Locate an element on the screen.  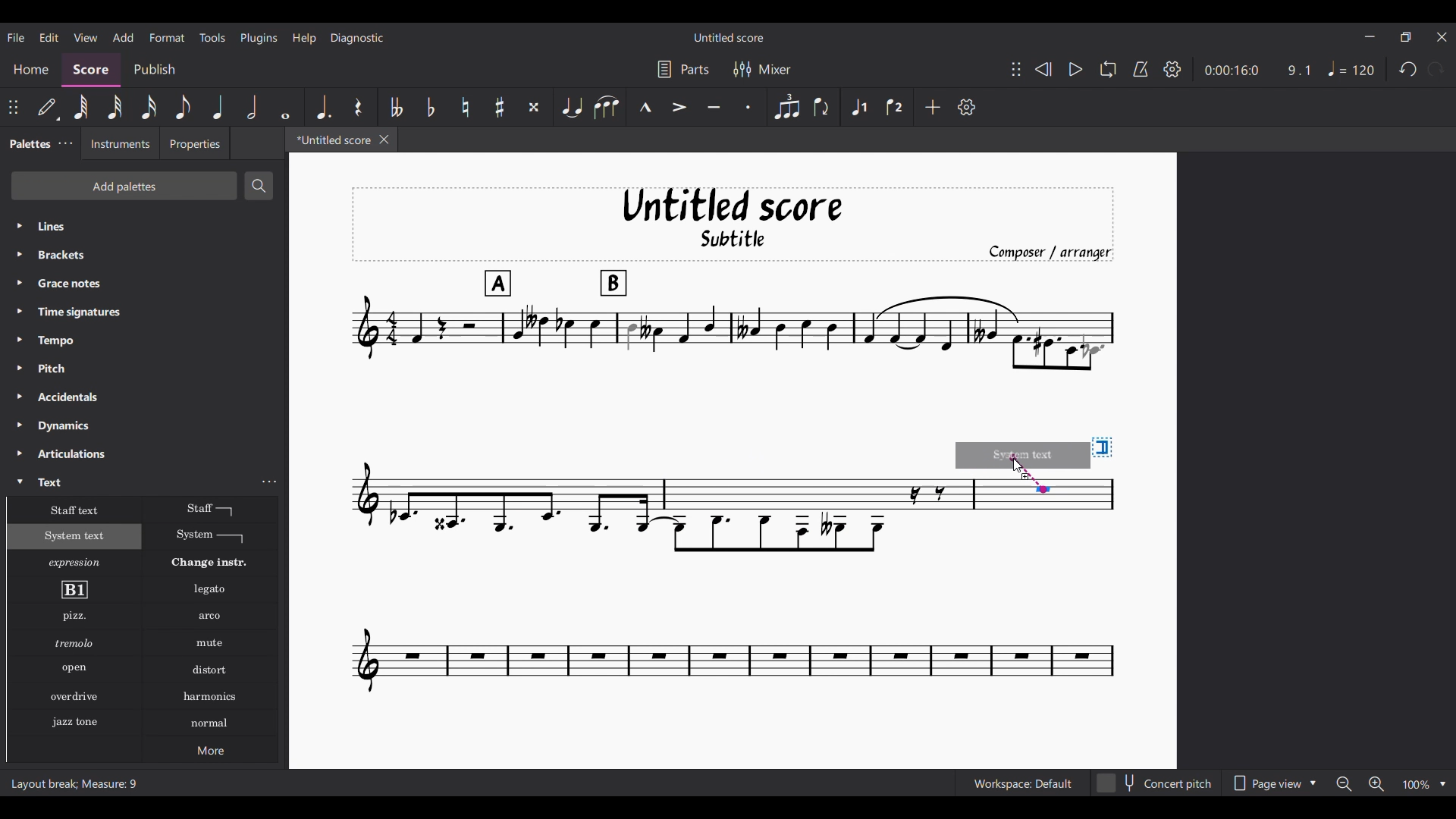
Palettes is located at coordinates (27, 145).